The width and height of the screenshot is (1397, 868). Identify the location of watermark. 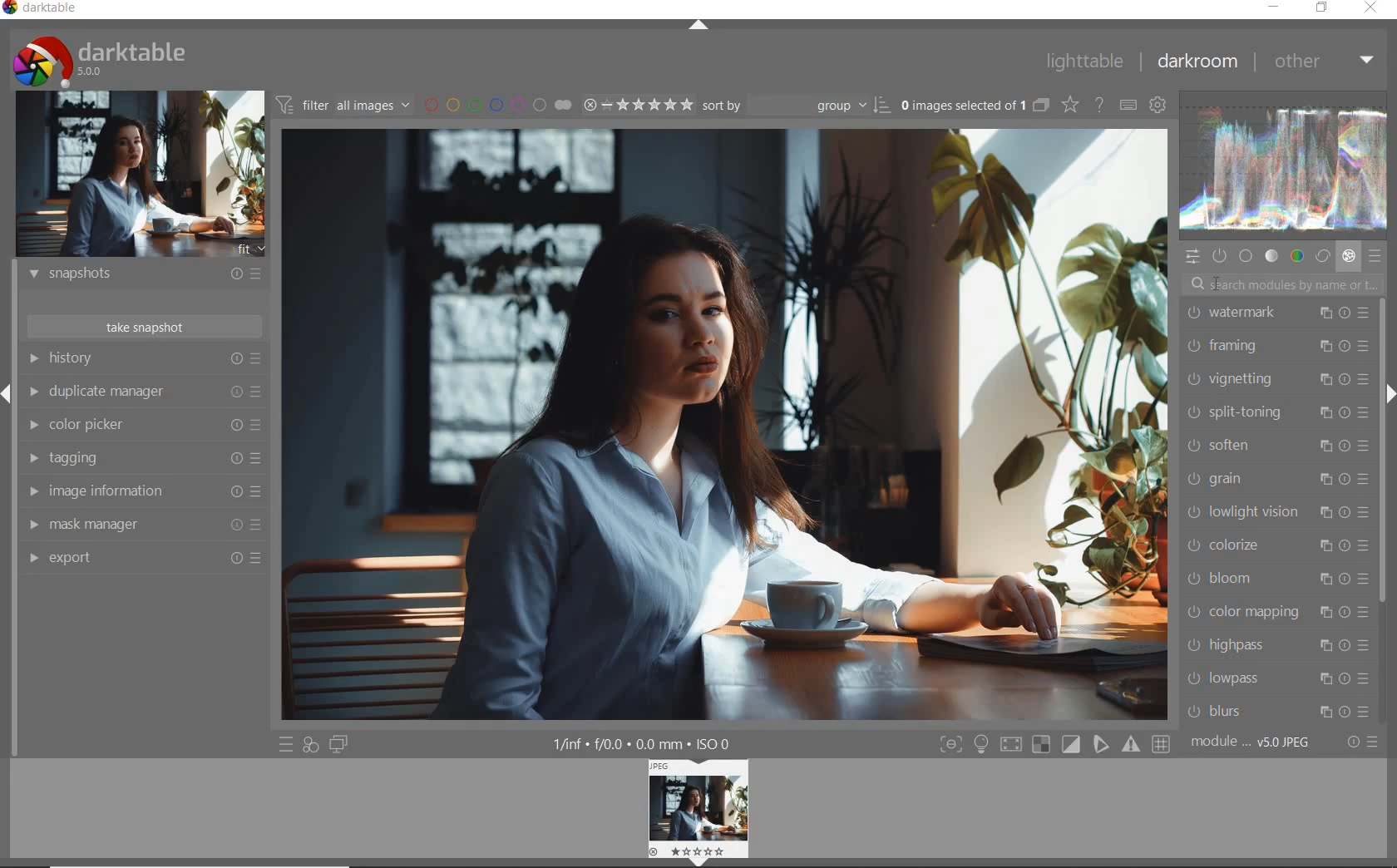
(1278, 313).